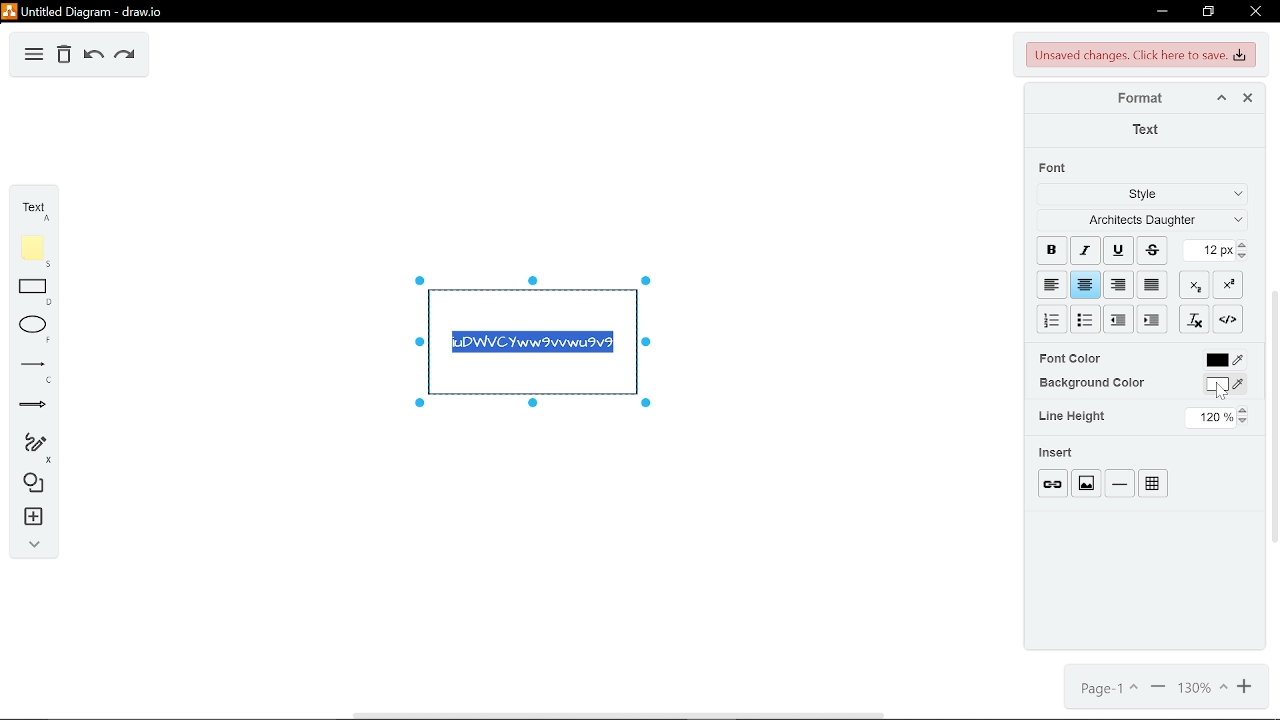 The width and height of the screenshot is (1280, 720). What do you see at coordinates (1246, 421) in the screenshot?
I see `decrease line height` at bounding box center [1246, 421].